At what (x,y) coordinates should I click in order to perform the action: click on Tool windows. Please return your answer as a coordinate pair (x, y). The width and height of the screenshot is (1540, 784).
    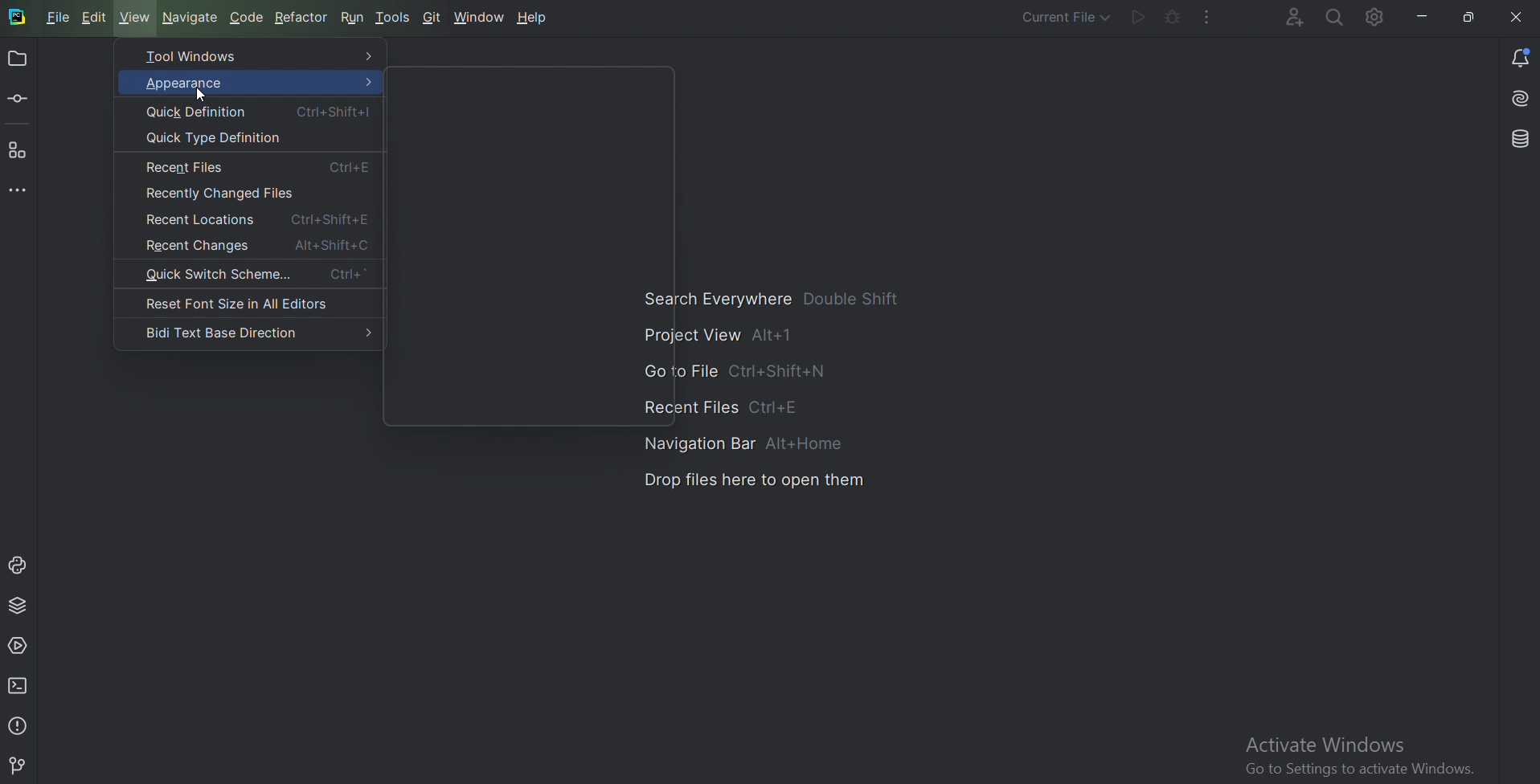
    Looking at the image, I should click on (255, 56).